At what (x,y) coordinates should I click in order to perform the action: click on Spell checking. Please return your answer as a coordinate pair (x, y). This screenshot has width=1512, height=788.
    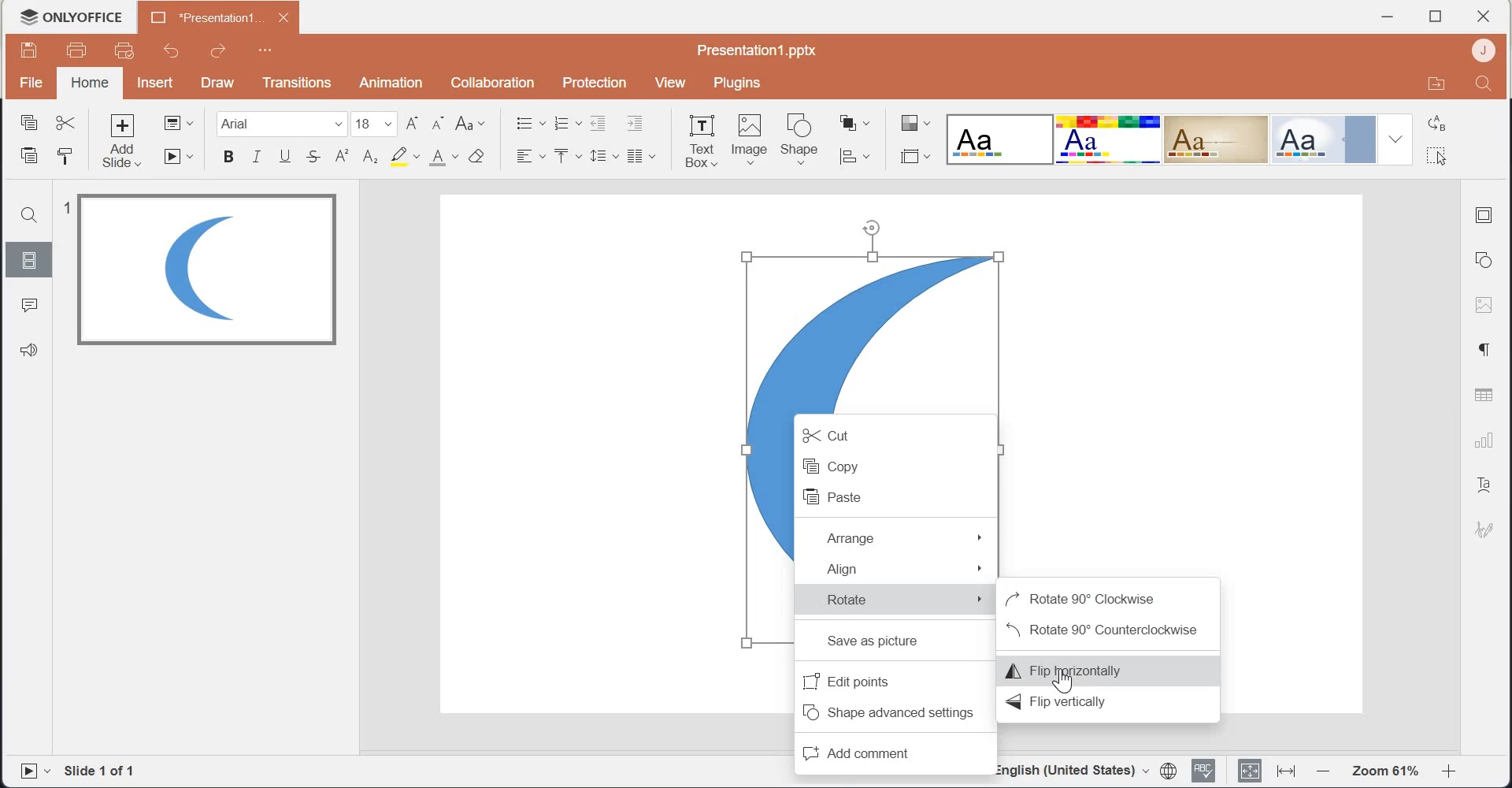
    Looking at the image, I should click on (1206, 771).